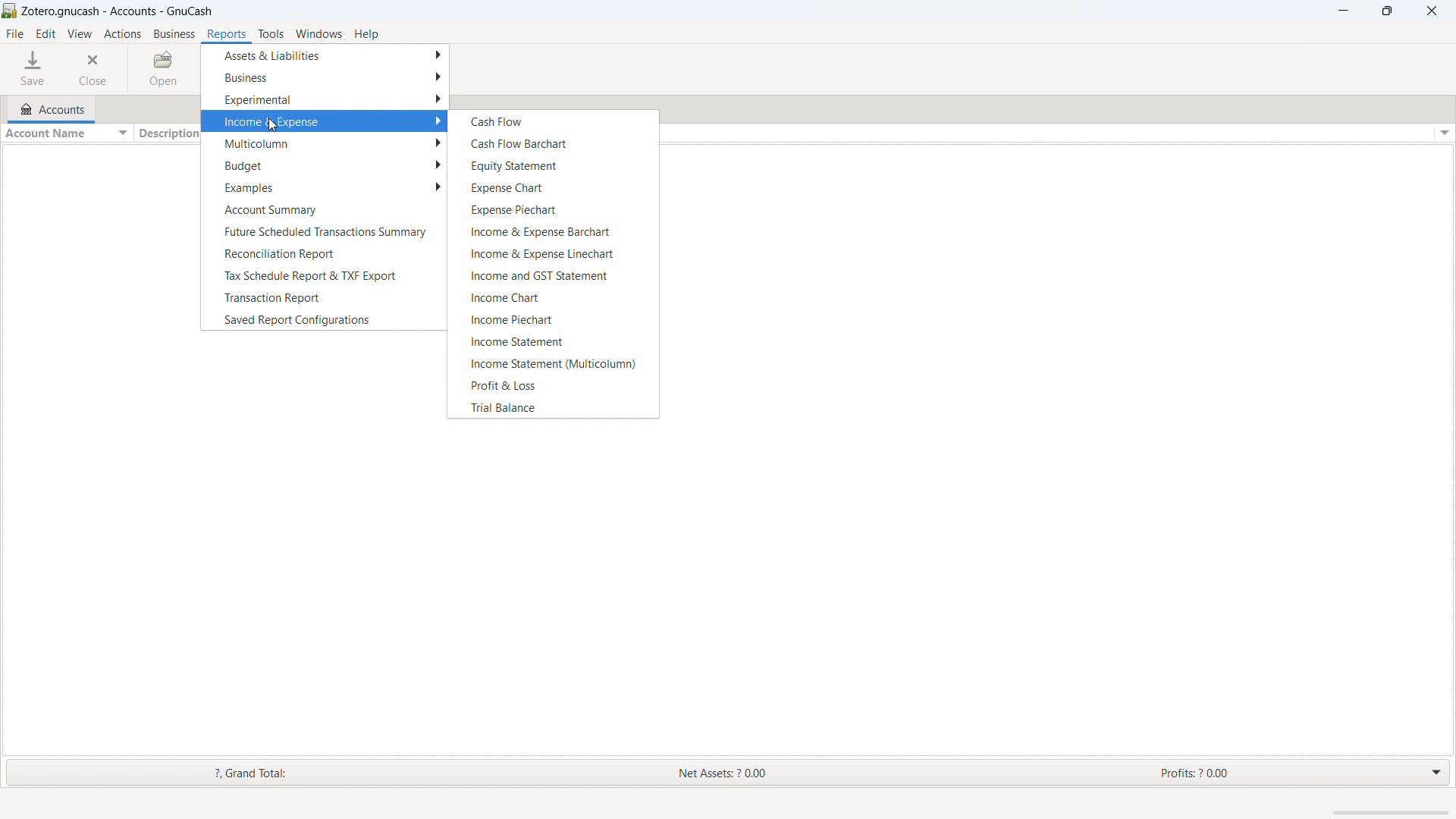  Describe the element at coordinates (554, 121) in the screenshot. I see `cash flow` at that location.